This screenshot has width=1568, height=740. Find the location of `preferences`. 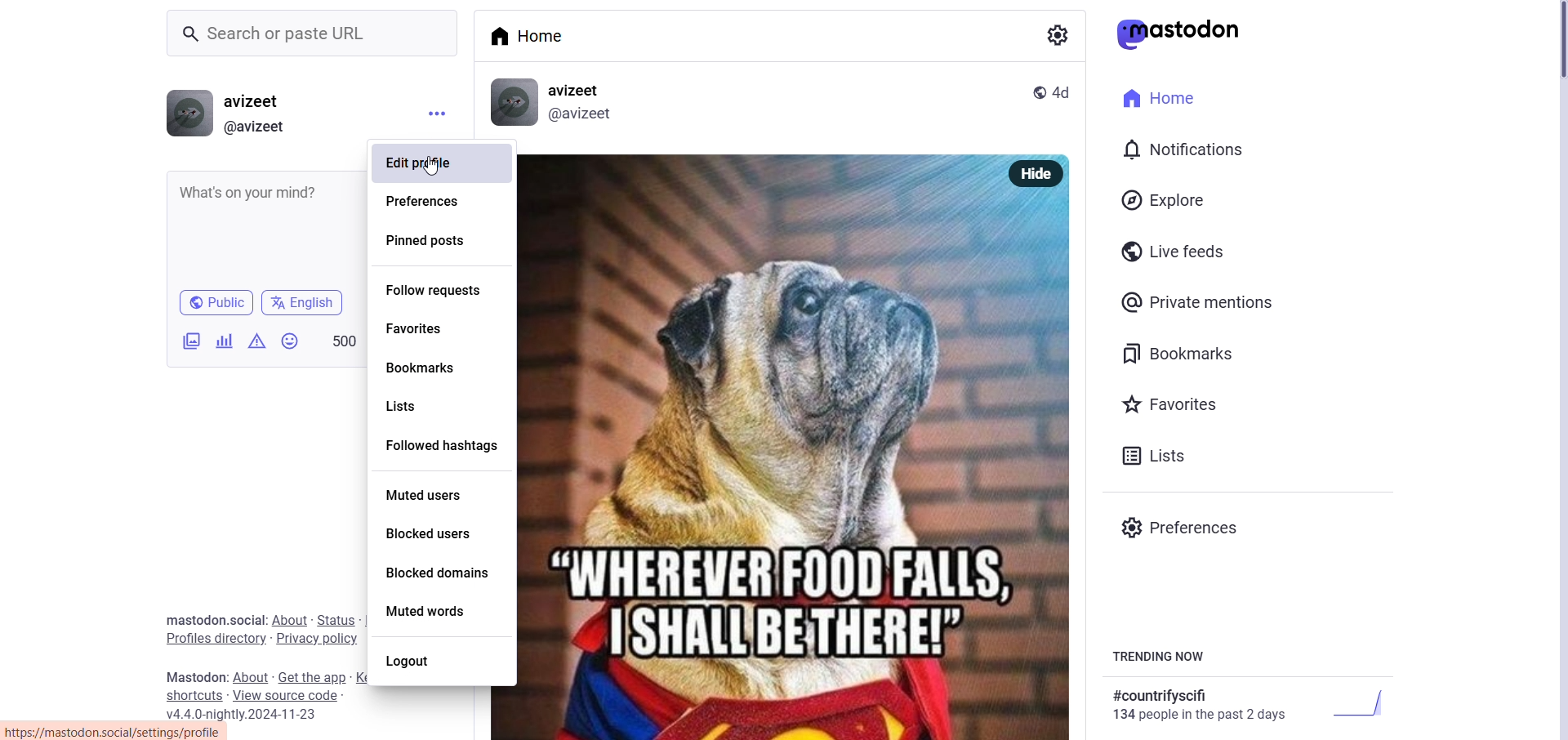

preferences is located at coordinates (426, 200).